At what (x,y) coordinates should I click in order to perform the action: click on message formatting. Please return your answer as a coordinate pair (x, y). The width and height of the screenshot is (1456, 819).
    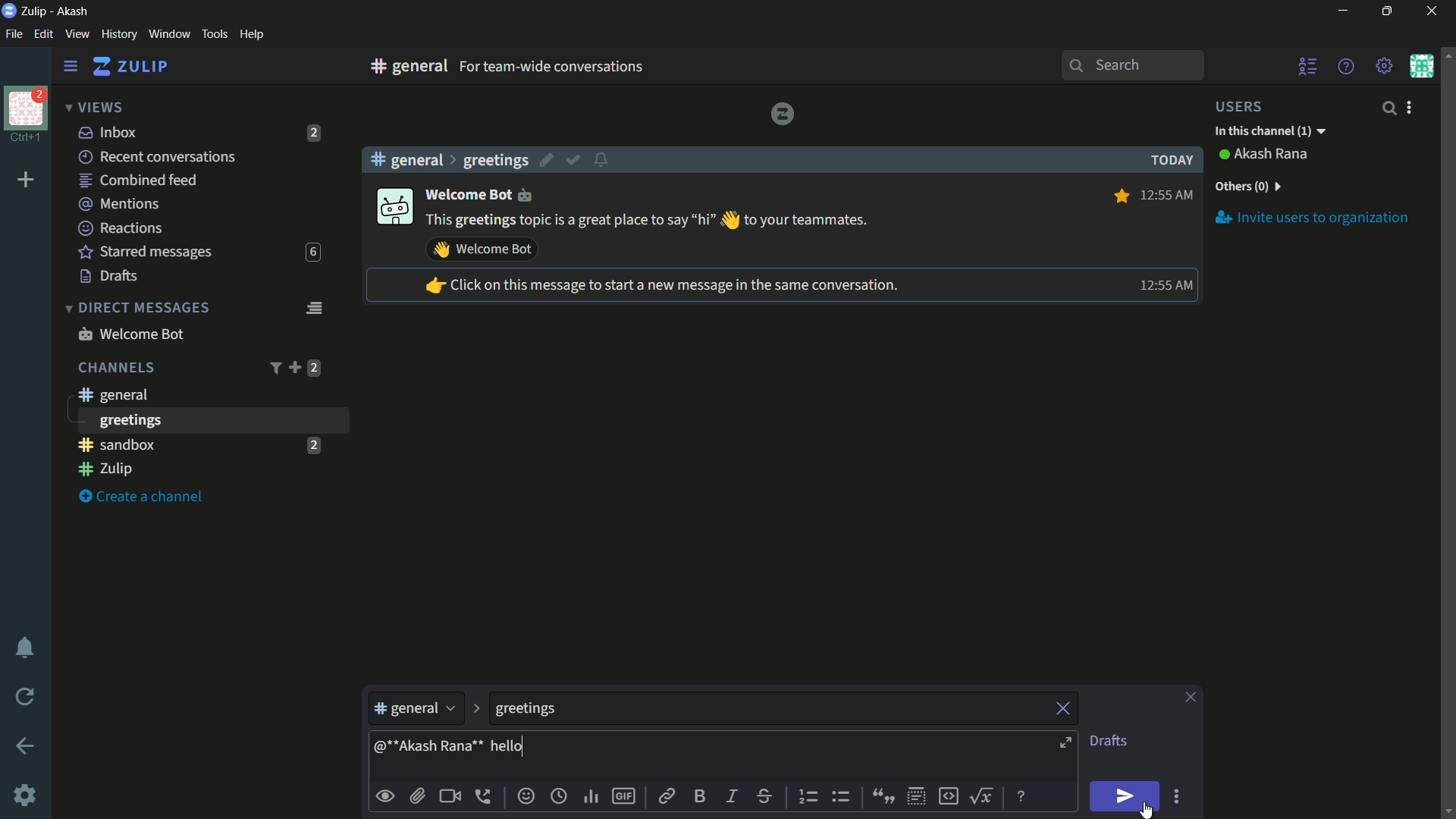
    Looking at the image, I should click on (1023, 795).